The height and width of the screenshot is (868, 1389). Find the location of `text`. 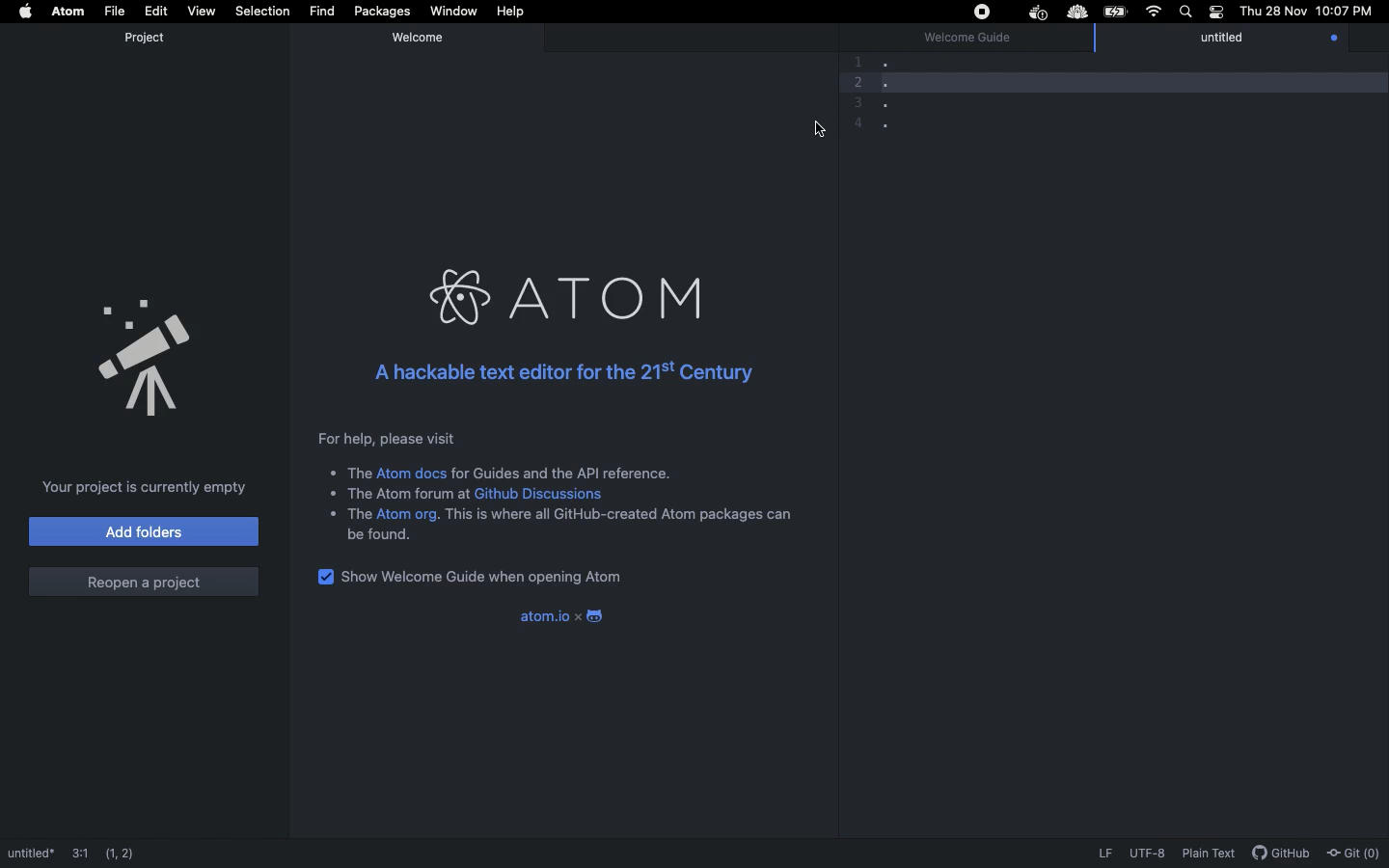

text is located at coordinates (401, 493).